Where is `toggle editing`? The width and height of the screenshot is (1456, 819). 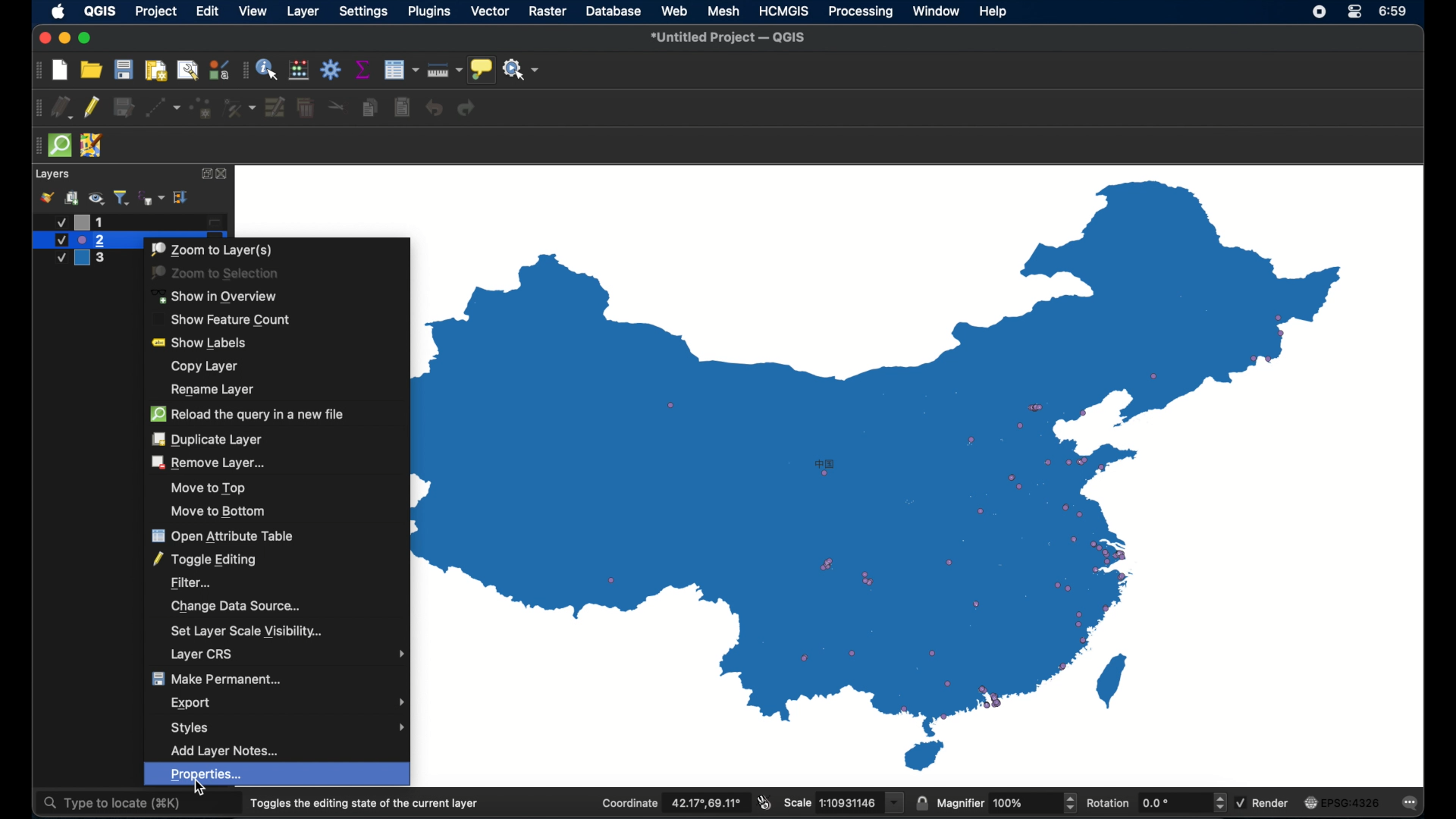
toggle editing is located at coordinates (91, 108).